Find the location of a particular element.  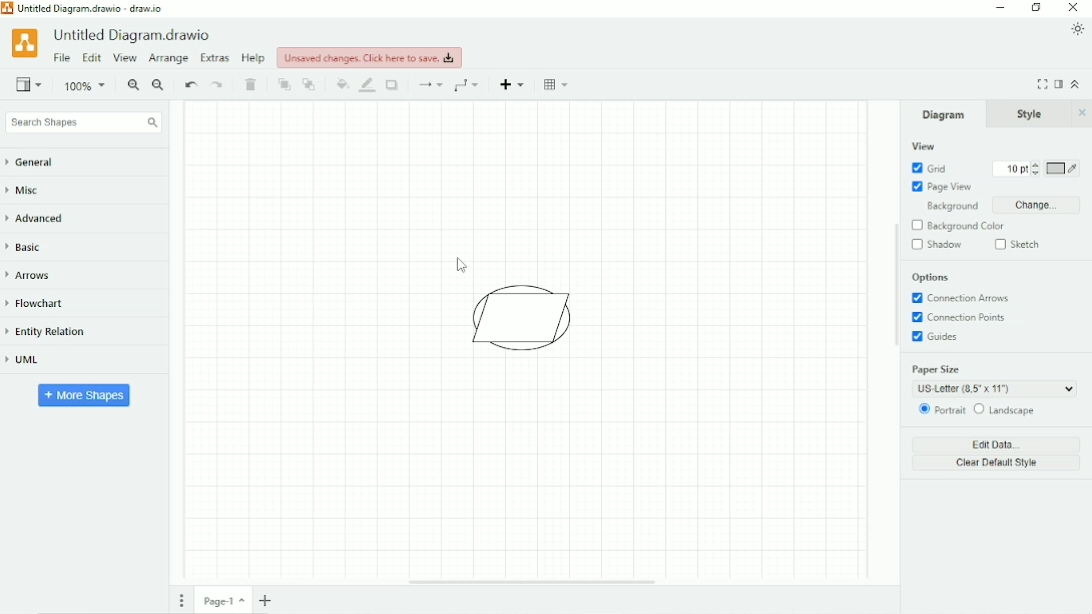

Misc is located at coordinates (29, 192).